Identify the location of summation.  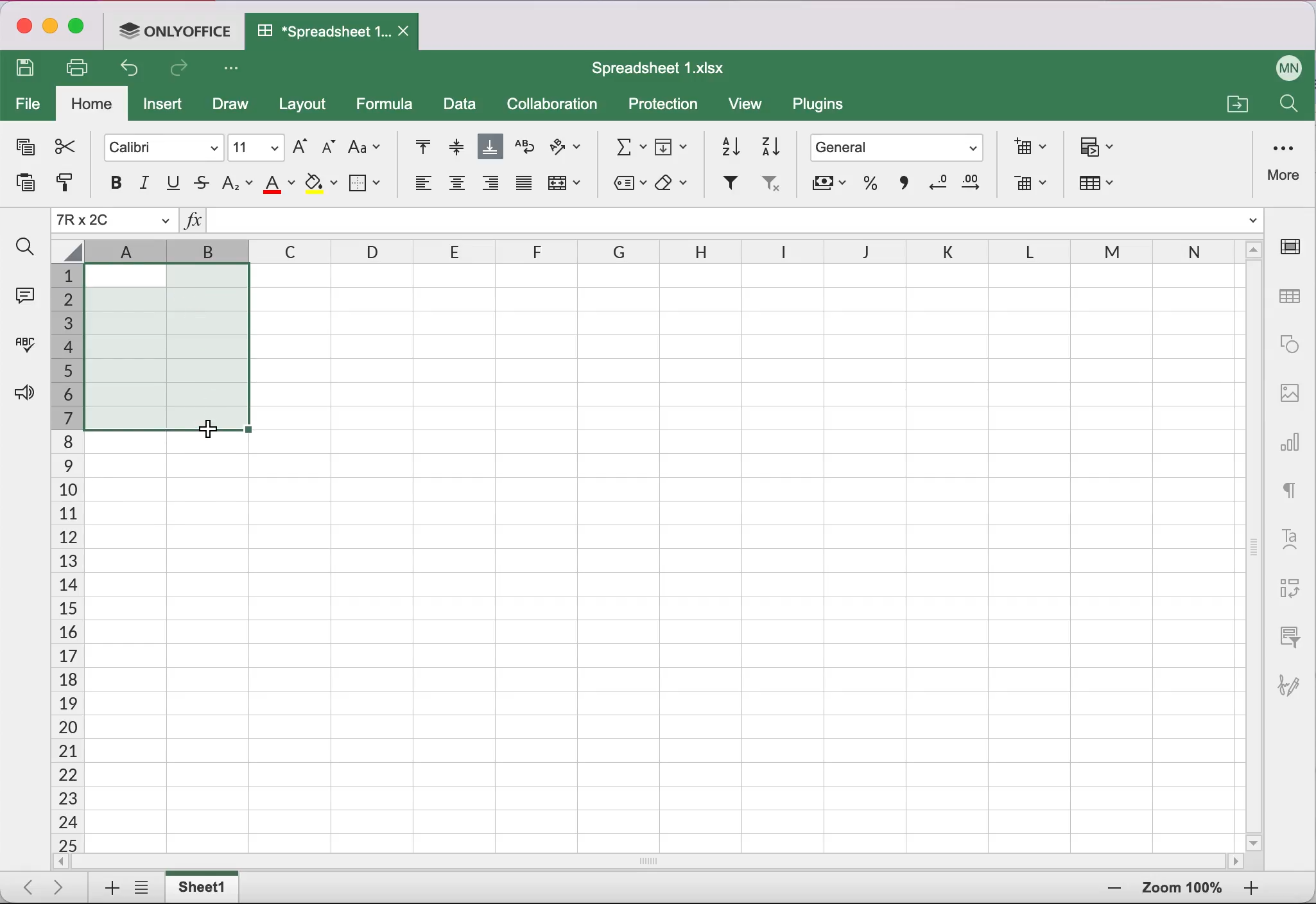
(625, 145).